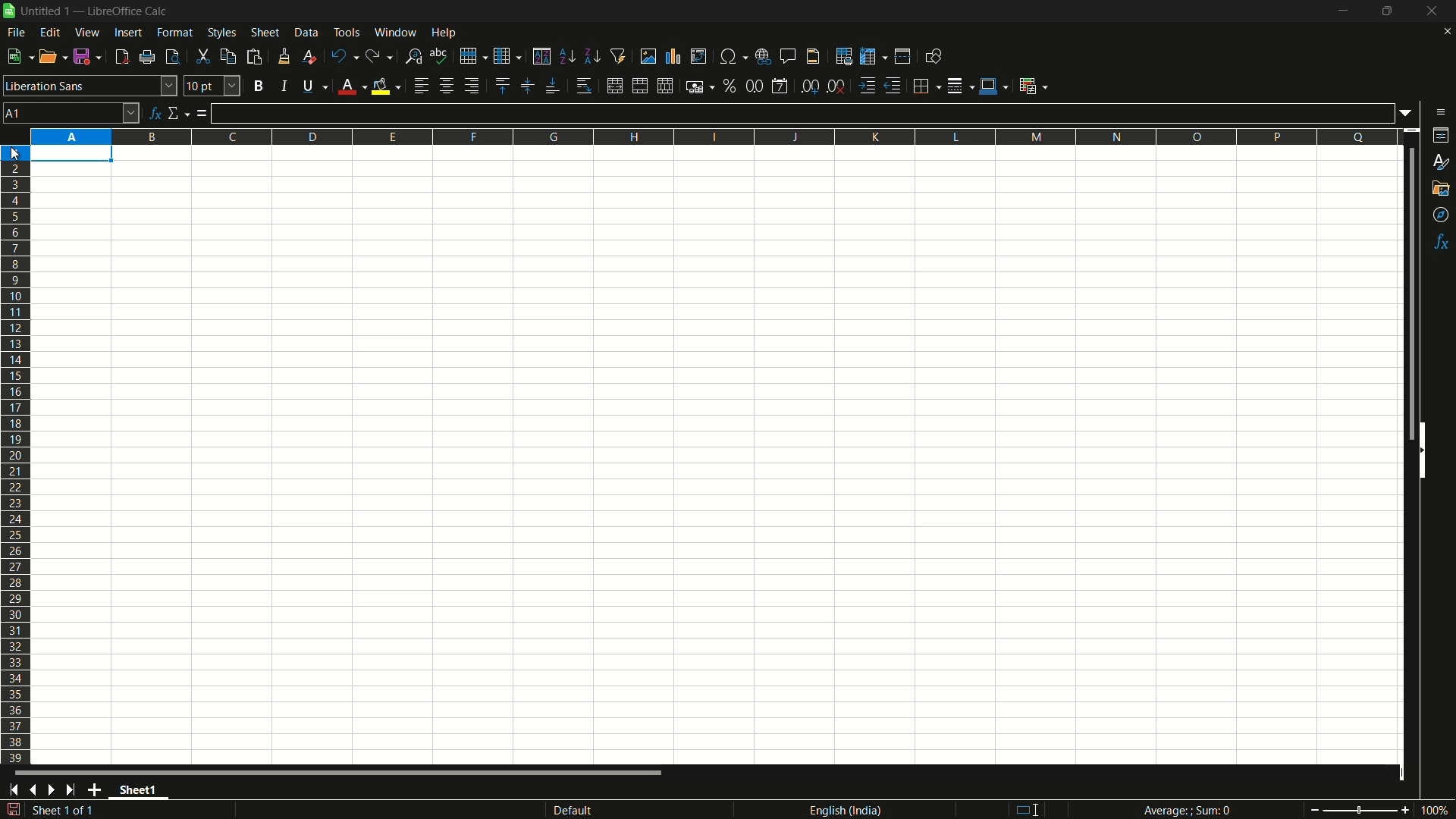 This screenshot has height=819, width=1456. I want to click on navigator, so click(1442, 215).